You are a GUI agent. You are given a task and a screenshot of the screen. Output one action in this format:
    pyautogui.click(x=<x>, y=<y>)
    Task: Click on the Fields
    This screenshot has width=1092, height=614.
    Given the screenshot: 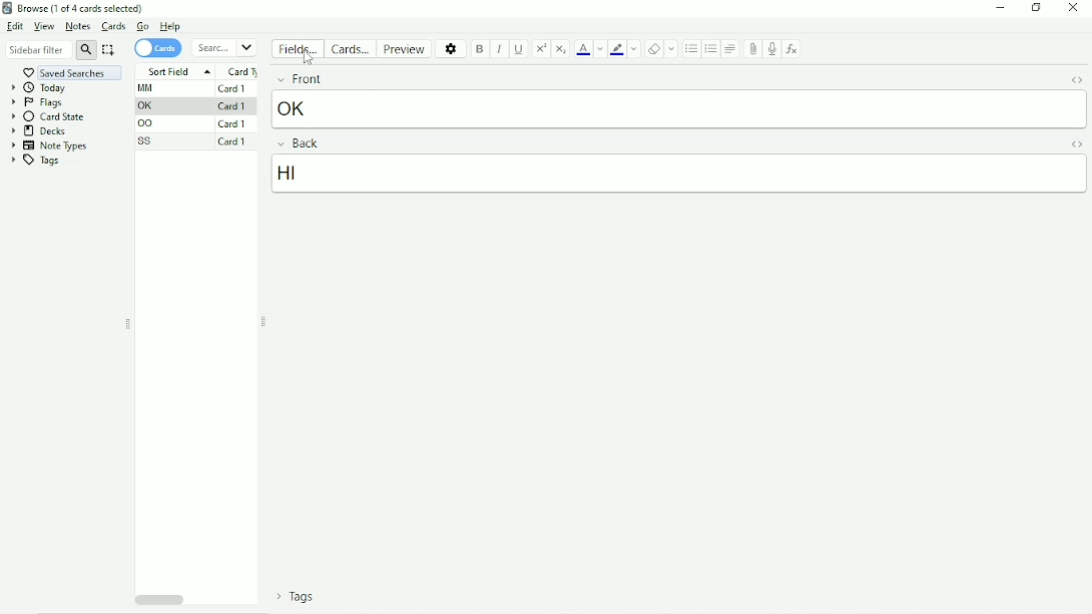 What is the action you would take?
    pyautogui.click(x=299, y=48)
    